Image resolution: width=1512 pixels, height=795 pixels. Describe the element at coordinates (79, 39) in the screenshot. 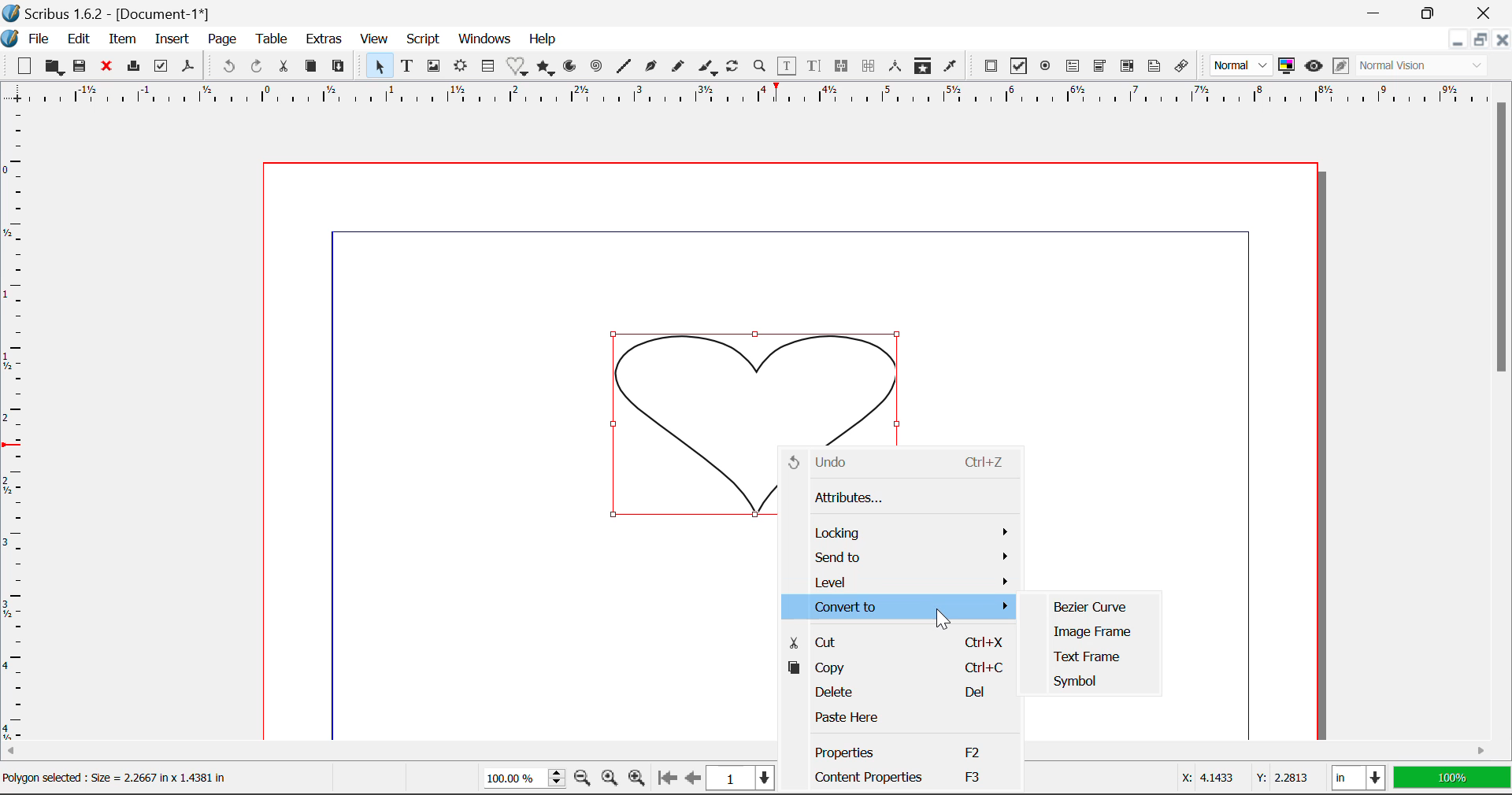

I see `Edit` at that location.